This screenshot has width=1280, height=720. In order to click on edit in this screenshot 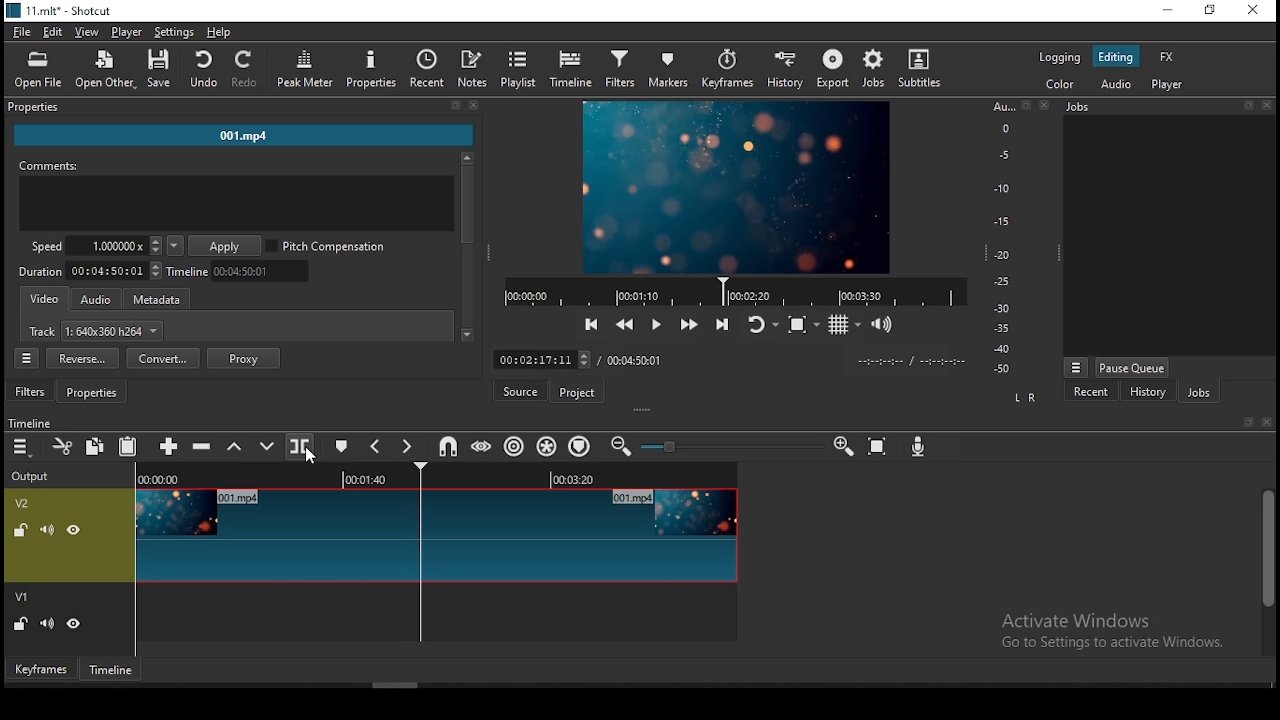, I will do `click(53, 33)`.